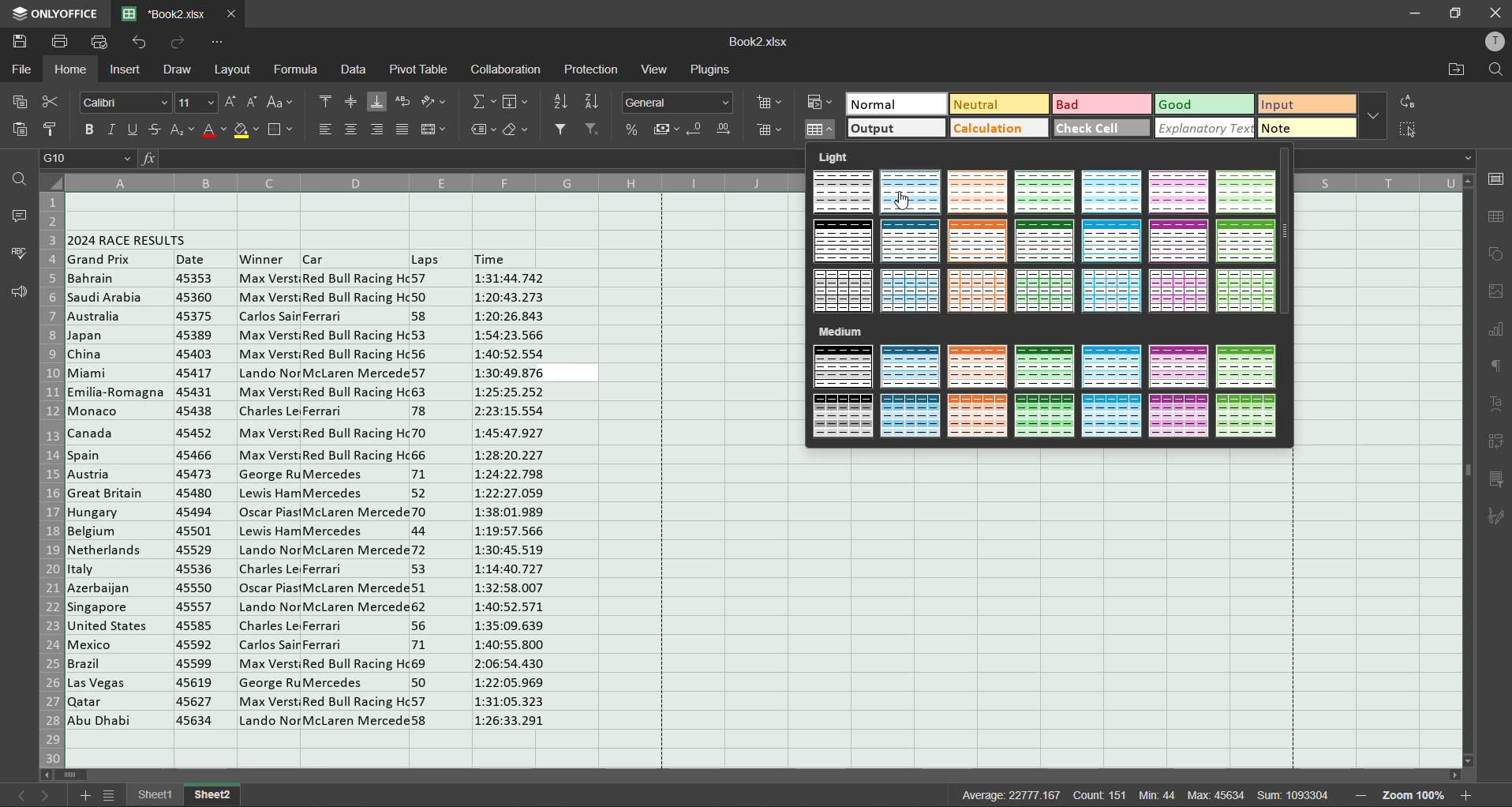 The width and height of the screenshot is (1512, 807). Describe the element at coordinates (1295, 796) in the screenshot. I see `sum` at that location.